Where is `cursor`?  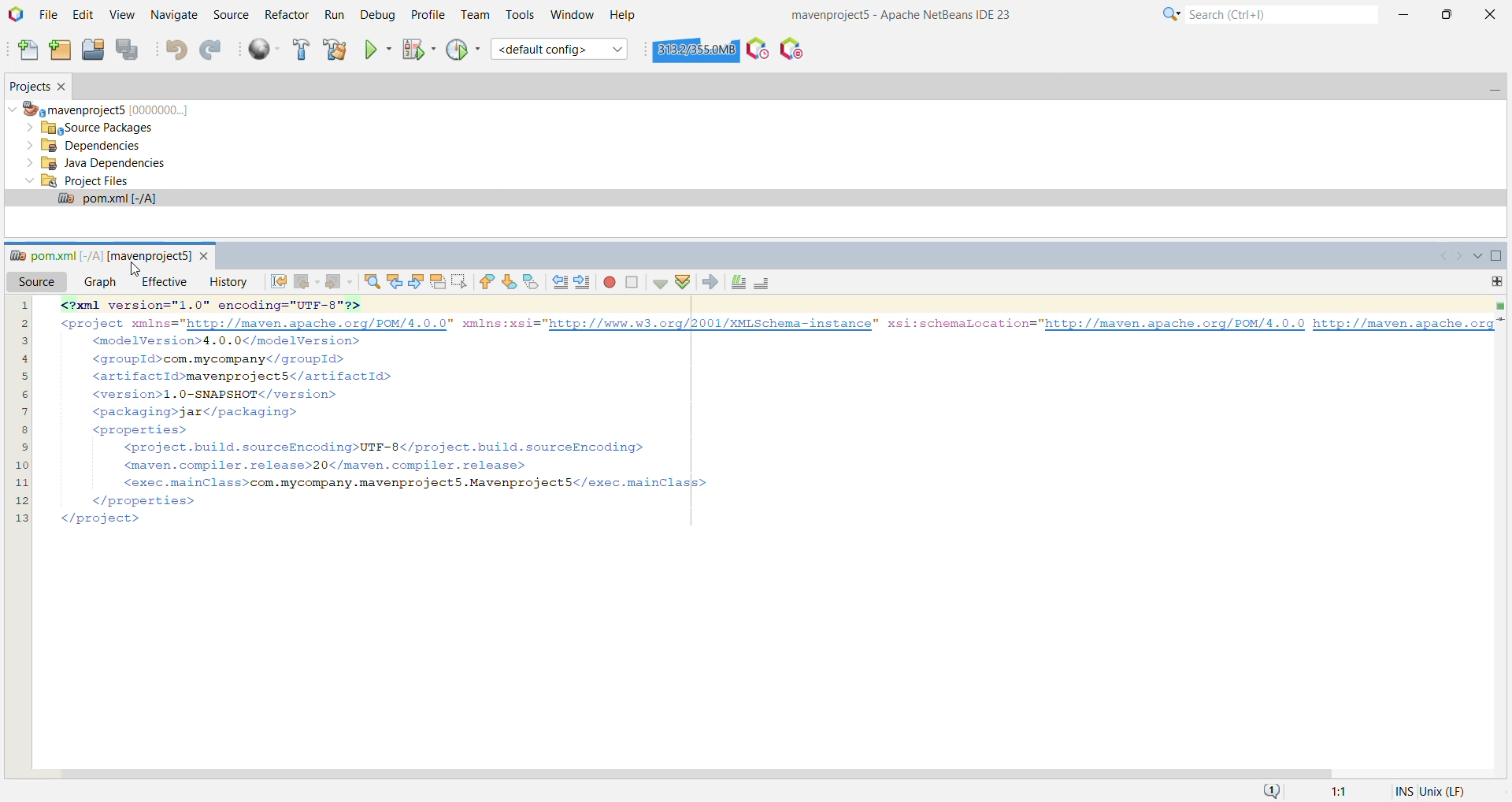
cursor is located at coordinates (135, 270).